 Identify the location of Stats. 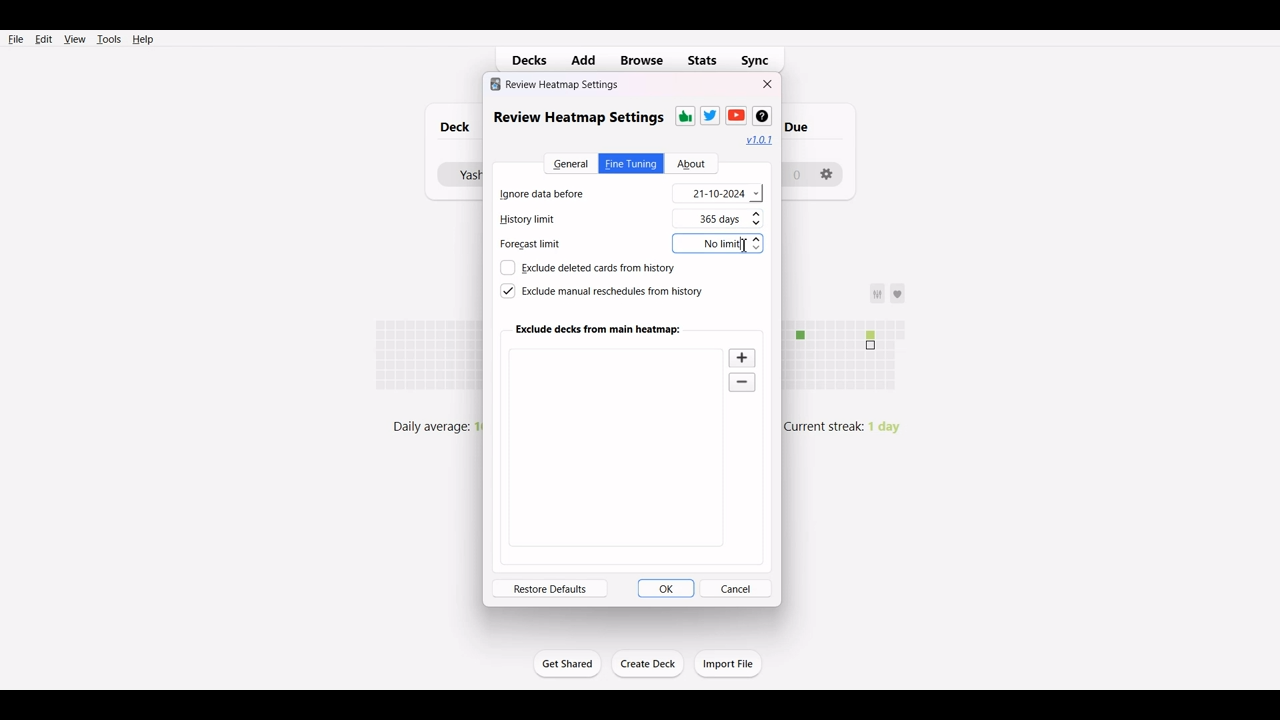
(703, 60).